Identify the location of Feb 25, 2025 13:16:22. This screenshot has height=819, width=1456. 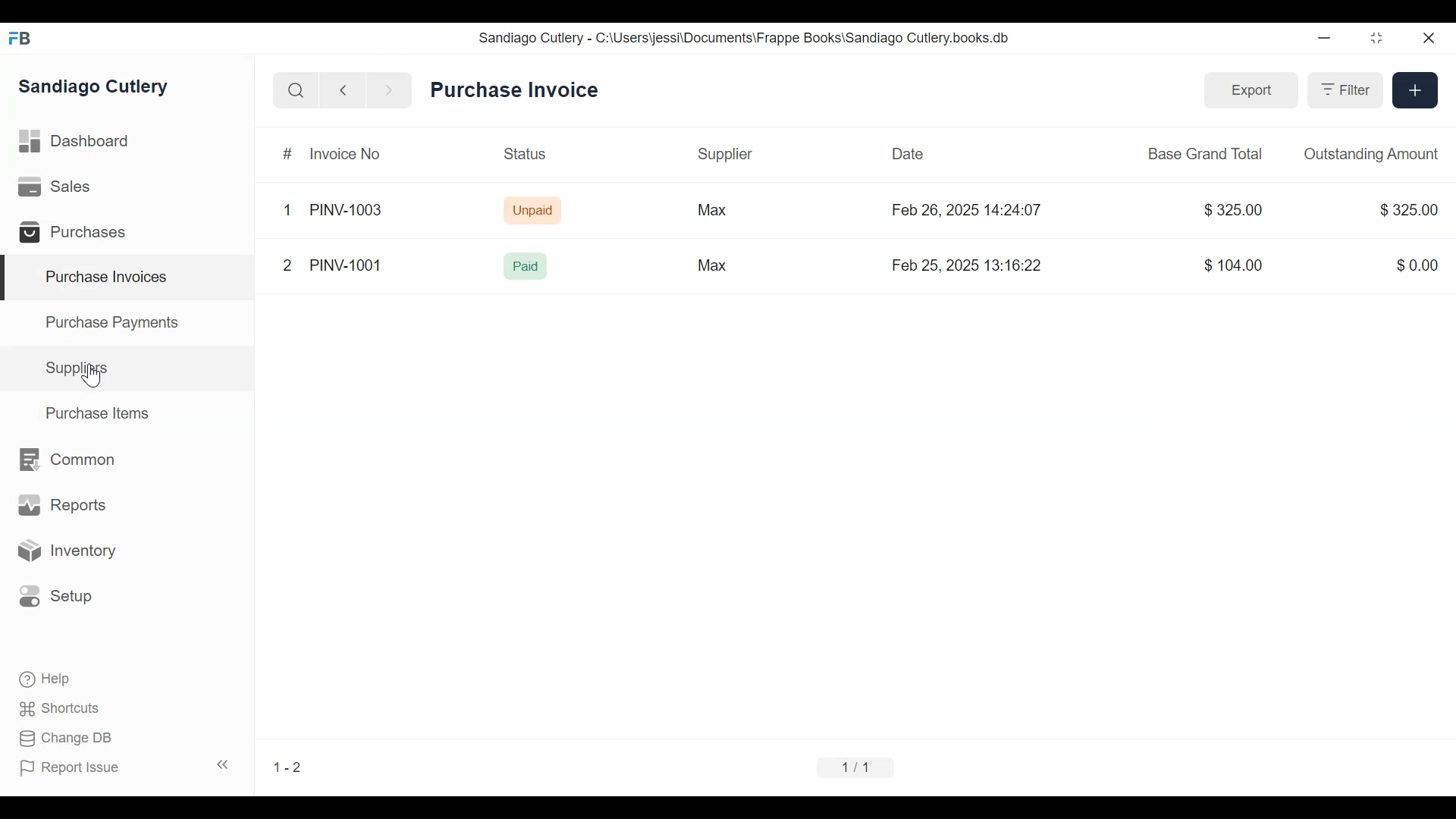
(968, 268).